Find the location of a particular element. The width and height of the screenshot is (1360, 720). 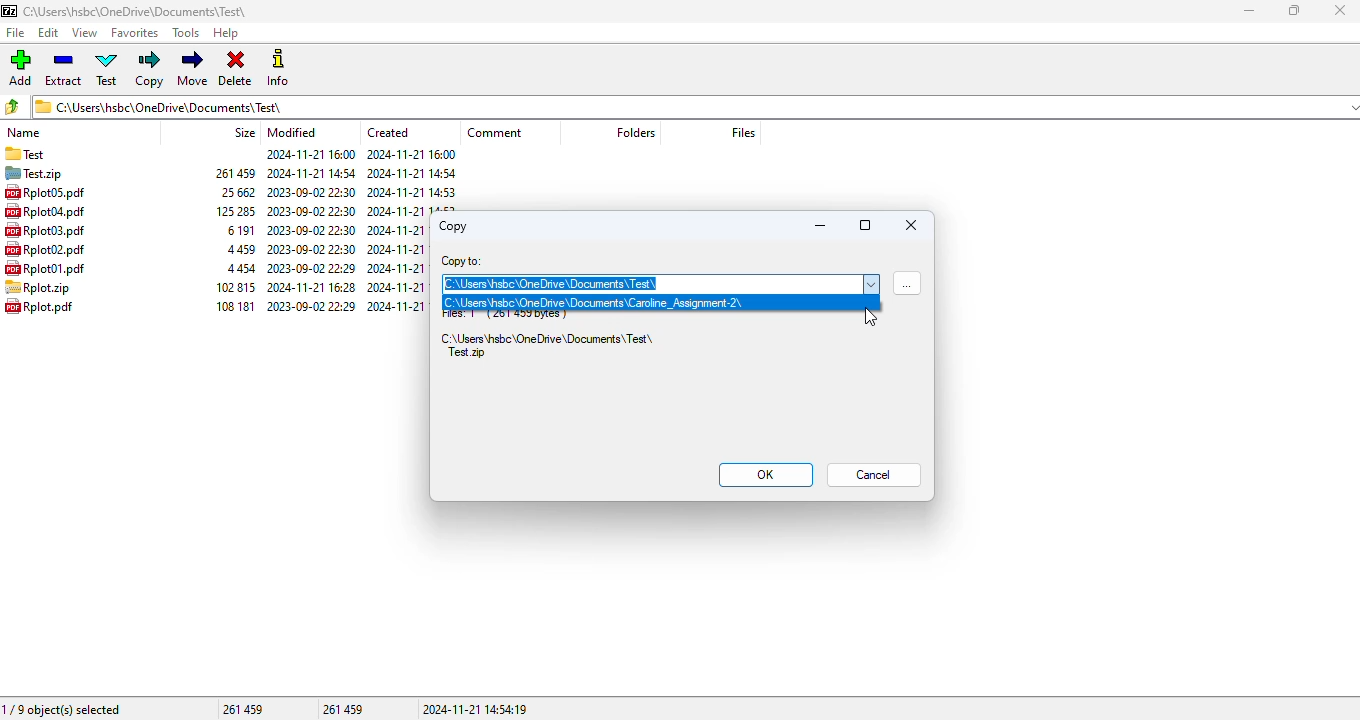

modified date & time is located at coordinates (311, 230).